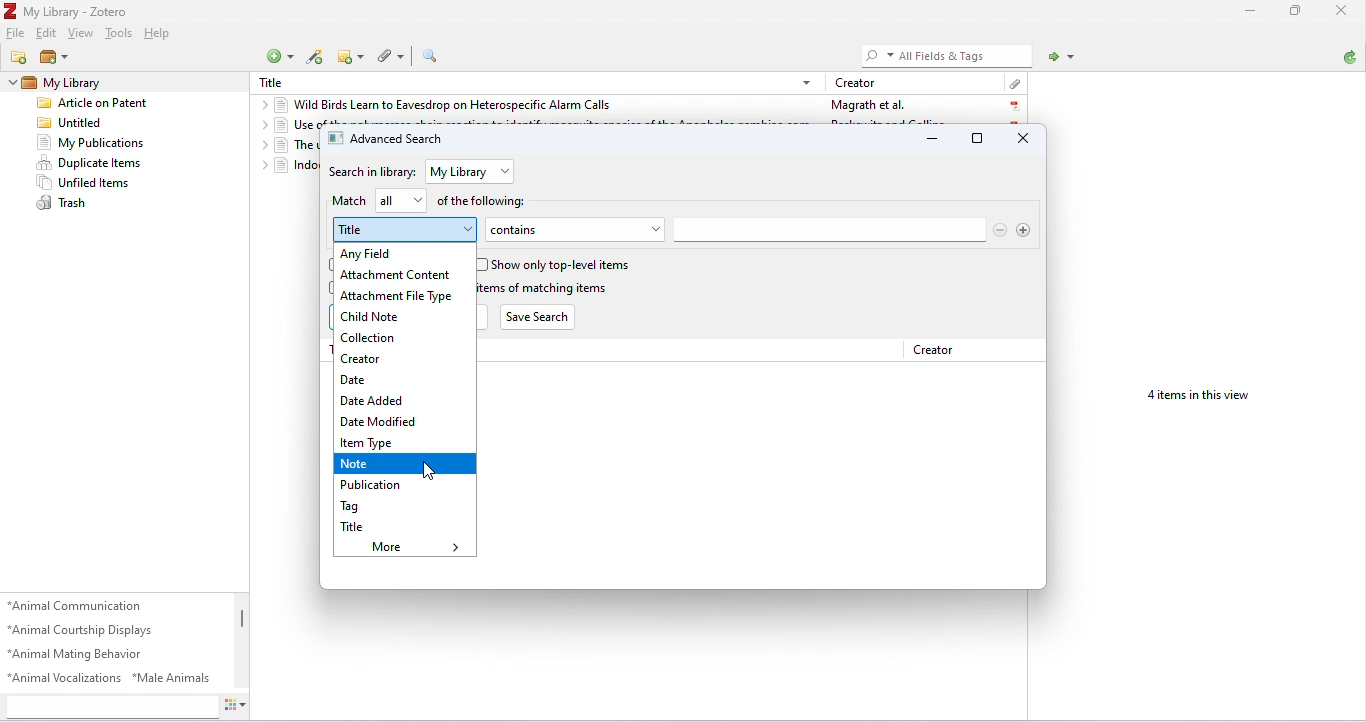 This screenshot has width=1366, height=722. What do you see at coordinates (365, 361) in the screenshot?
I see `creator` at bounding box center [365, 361].